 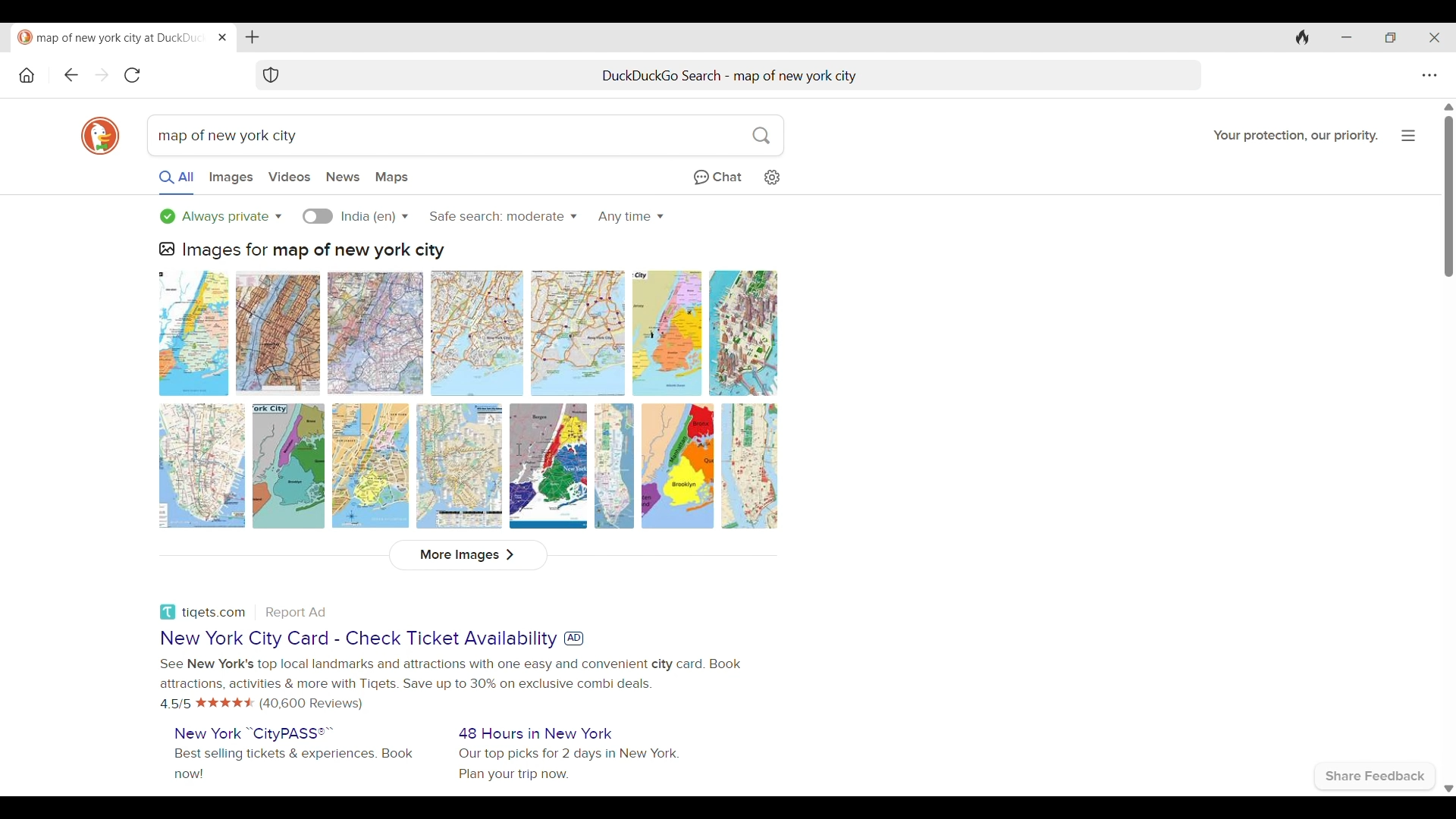 I want to click on map of new york city, so click(x=225, y=136).